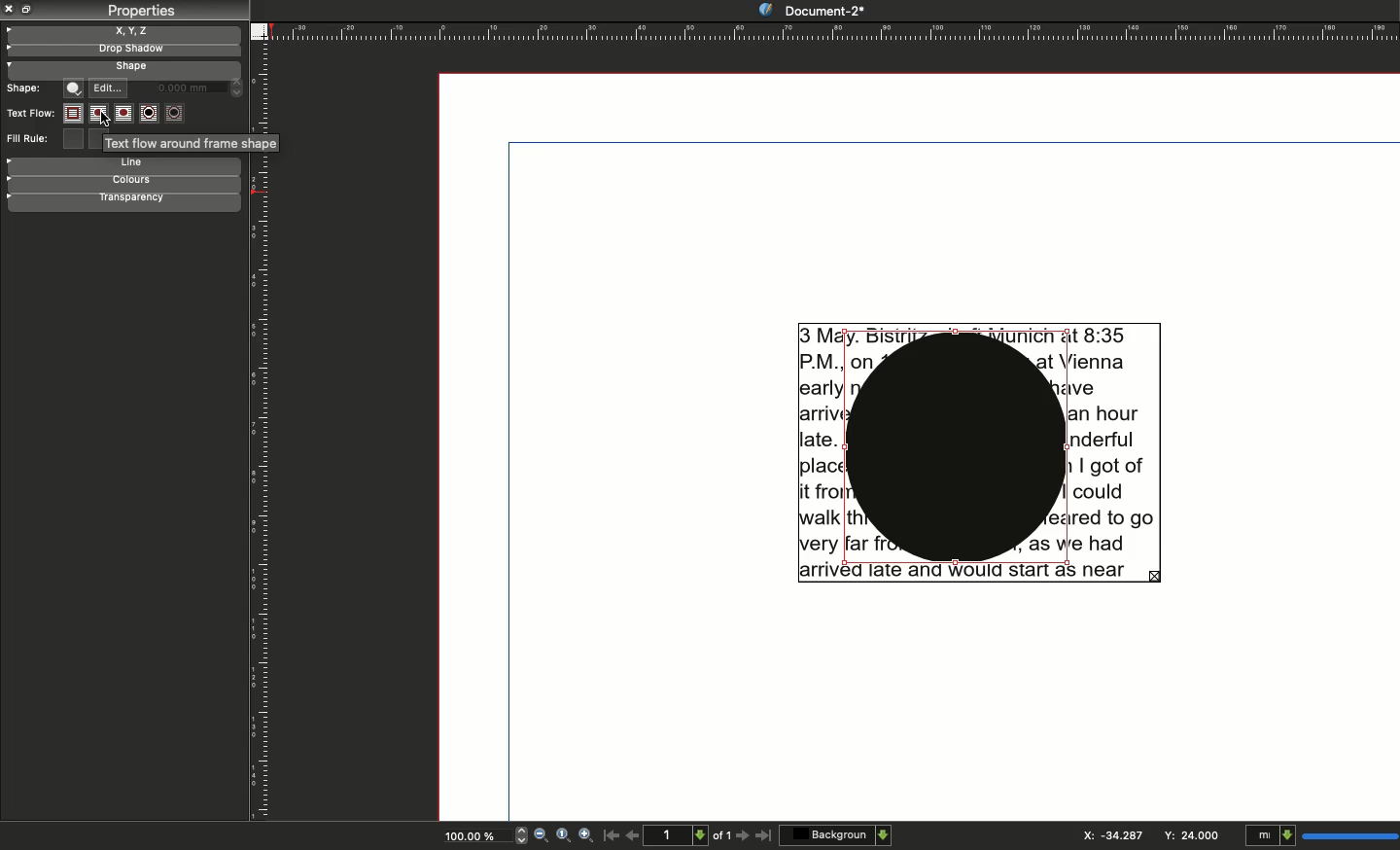 This screenshot has width=1400, height=850. I want to click on Text flow wrap, so click(124, 115).